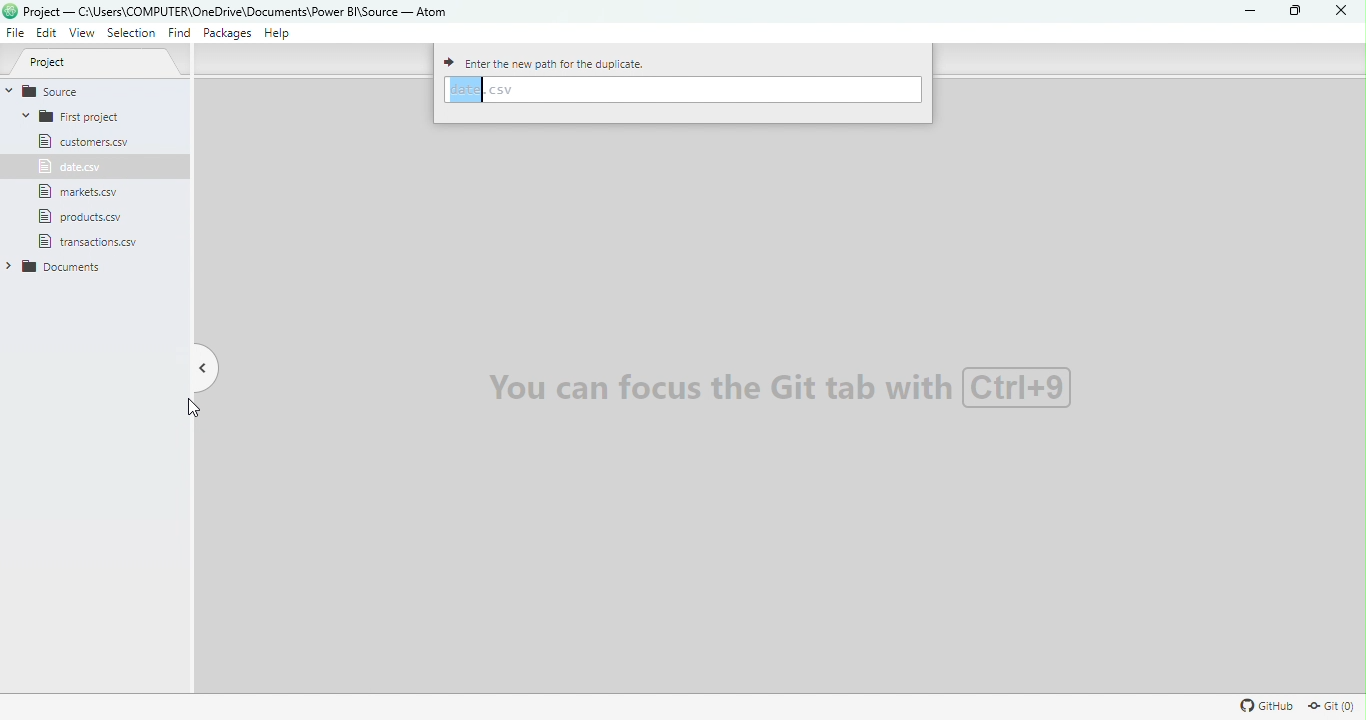 This screenshot has height=720, width=1366. I want to click on Packages, so click(230, 33).